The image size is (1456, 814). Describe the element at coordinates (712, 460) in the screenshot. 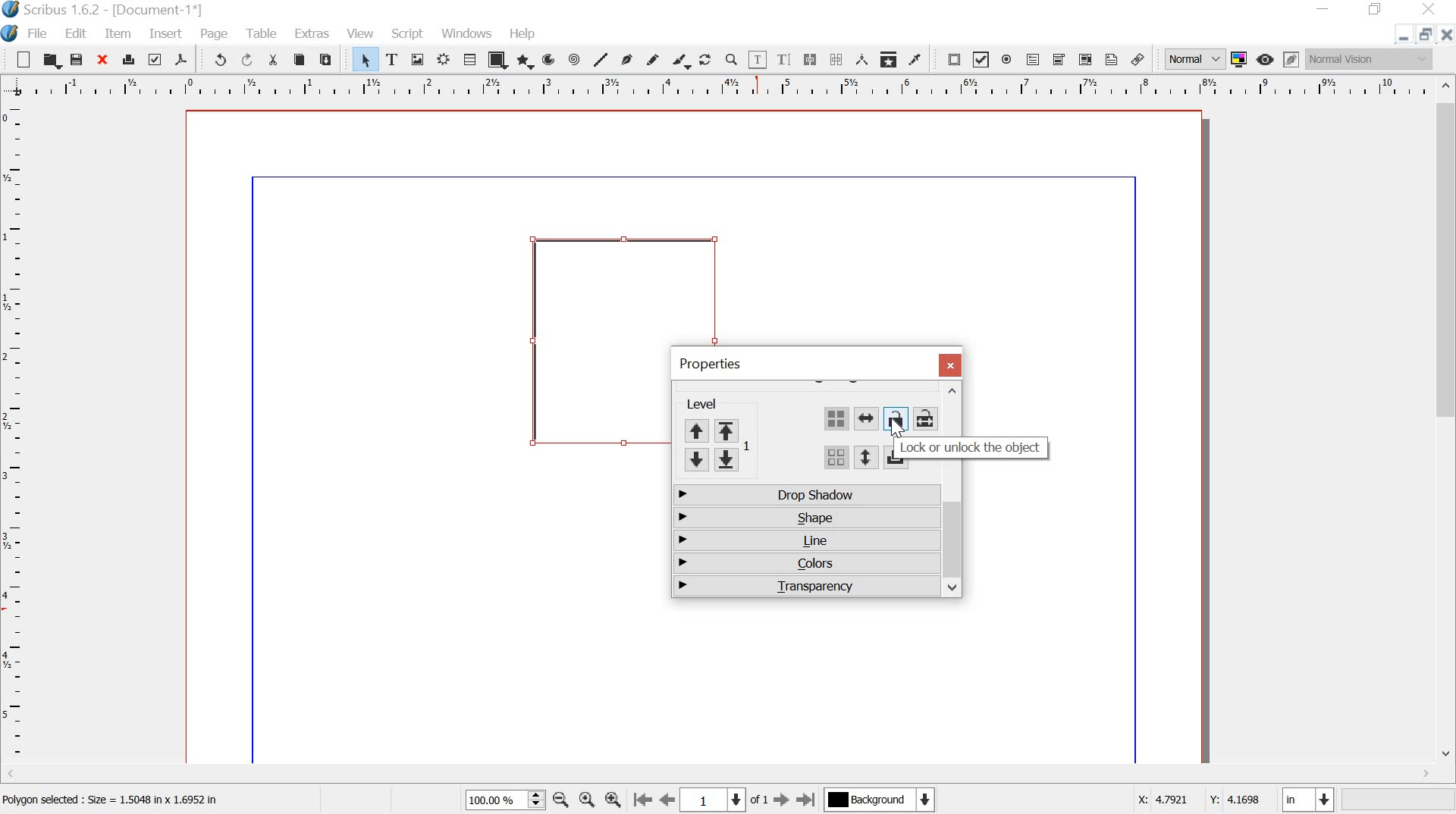

I see `level down` at that location.